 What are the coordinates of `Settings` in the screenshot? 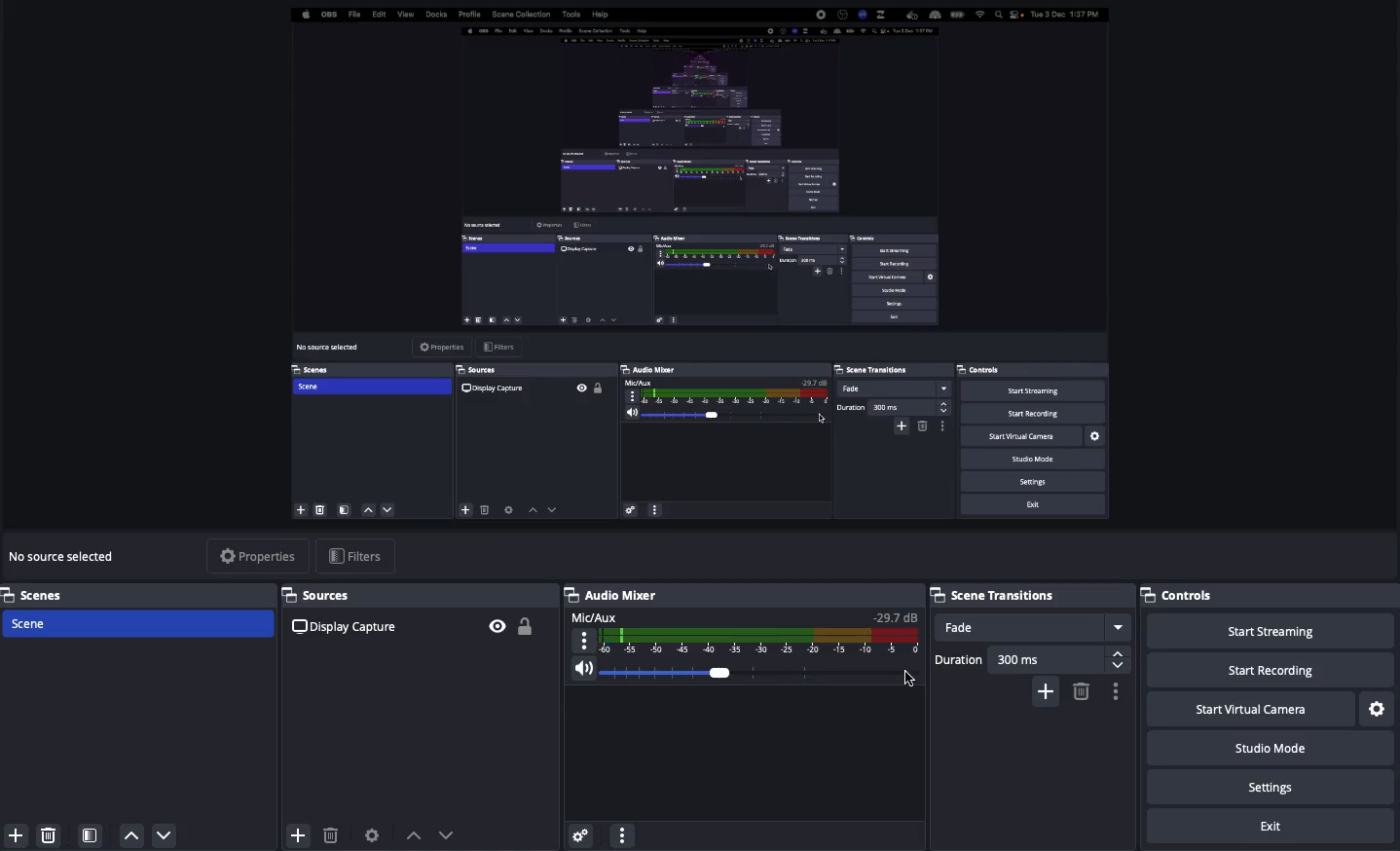 It's located at (579, 832).